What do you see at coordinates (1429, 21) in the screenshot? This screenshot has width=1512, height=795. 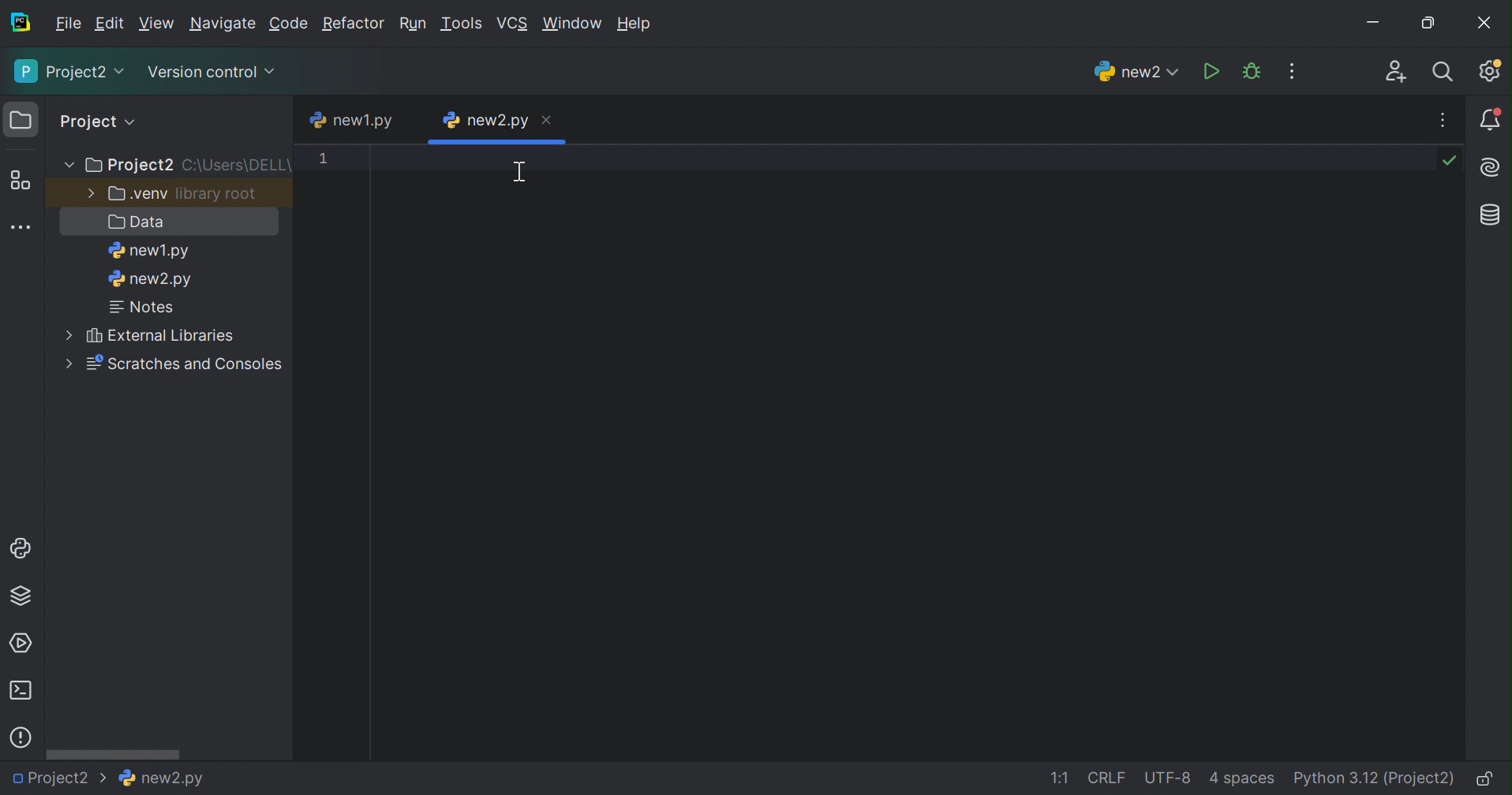 I see `Restore down` at bounding box center [1429, 21].